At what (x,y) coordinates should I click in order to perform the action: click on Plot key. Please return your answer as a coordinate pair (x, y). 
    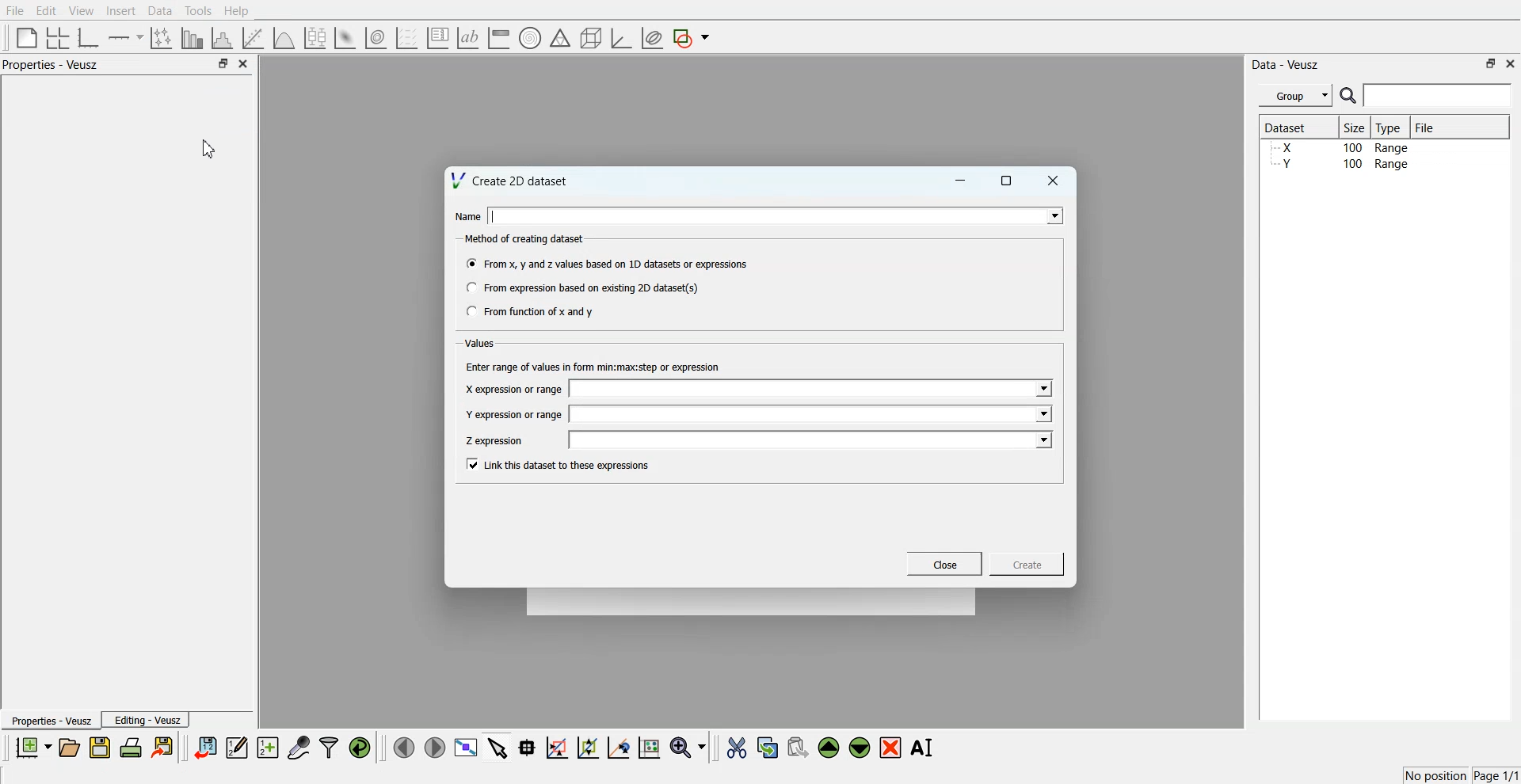
    Looking at the image, I should click on (437, 38).